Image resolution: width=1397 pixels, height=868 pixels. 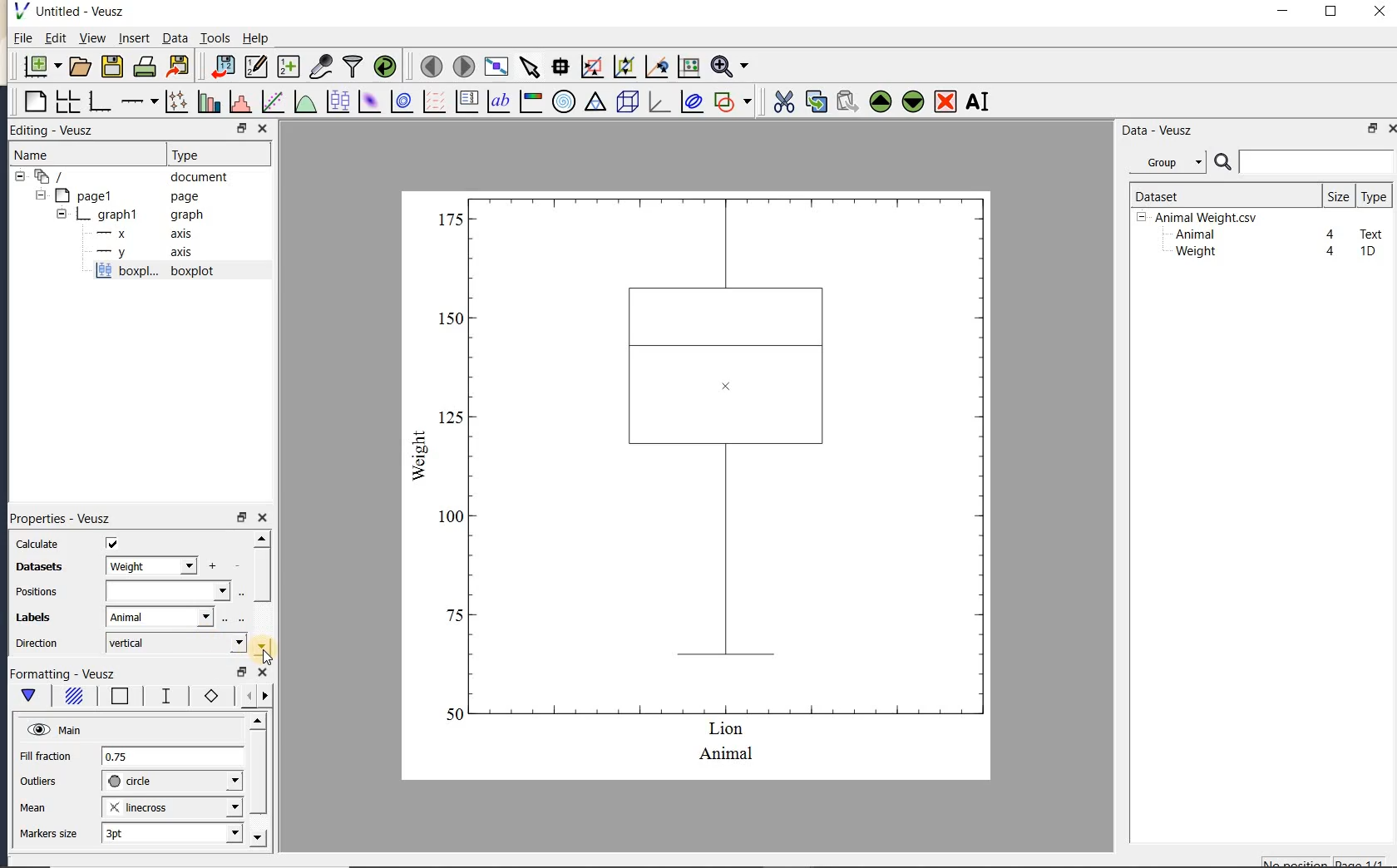 I want to click on click to reset graph axes, so click(x=689, y=67).